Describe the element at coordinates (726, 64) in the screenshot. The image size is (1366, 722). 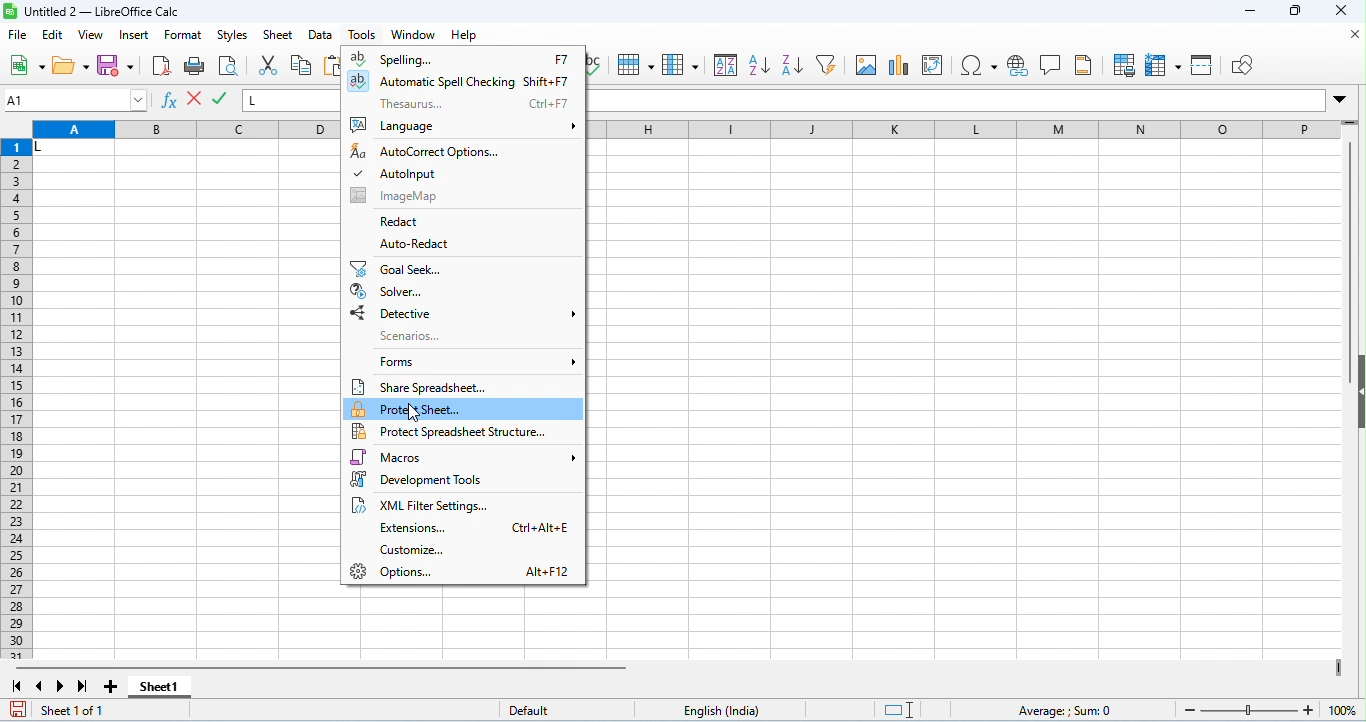
I see `sort` at that location.